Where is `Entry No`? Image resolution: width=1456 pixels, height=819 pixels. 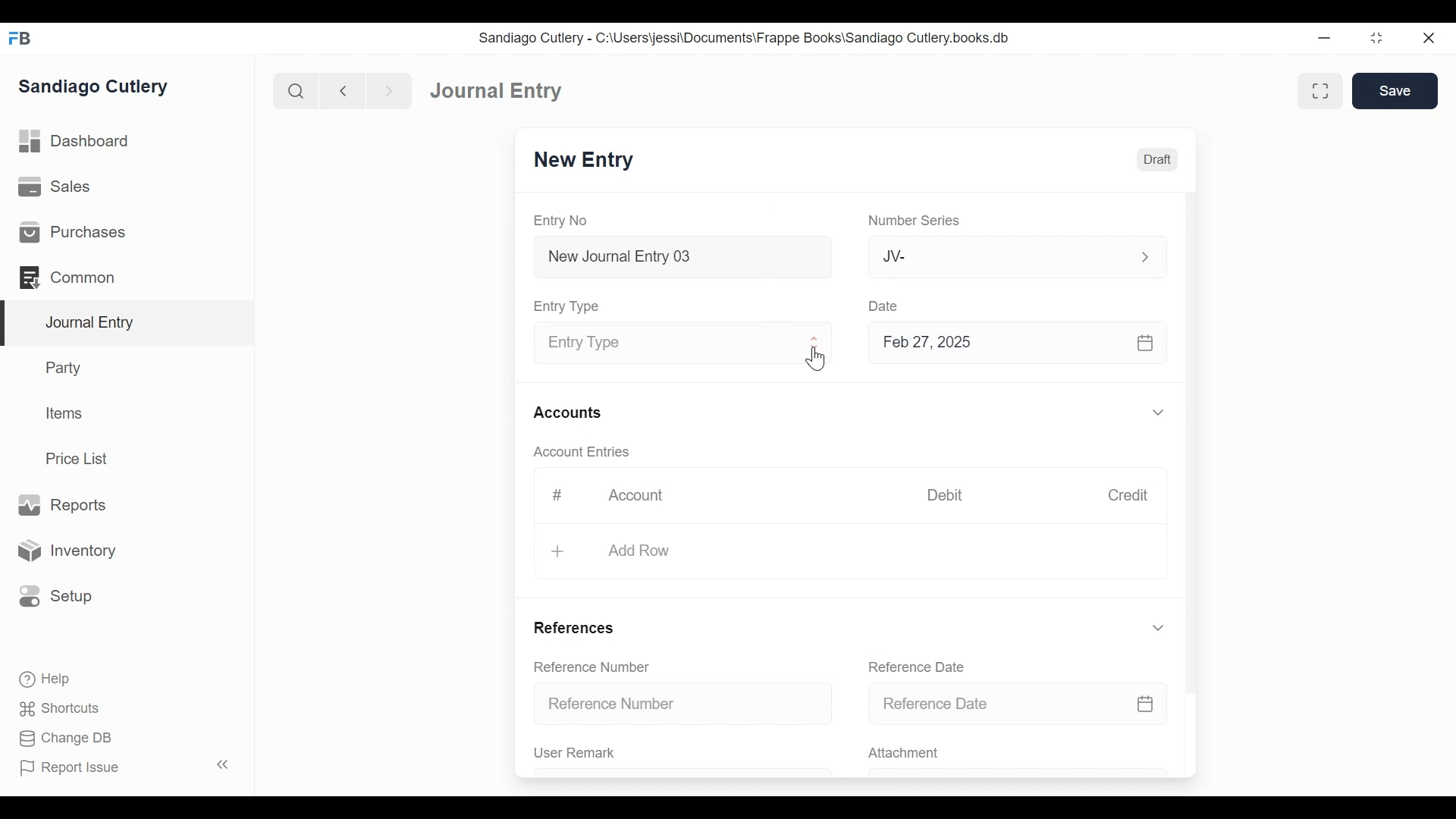
Entry No is located at coordinates (560, 221).